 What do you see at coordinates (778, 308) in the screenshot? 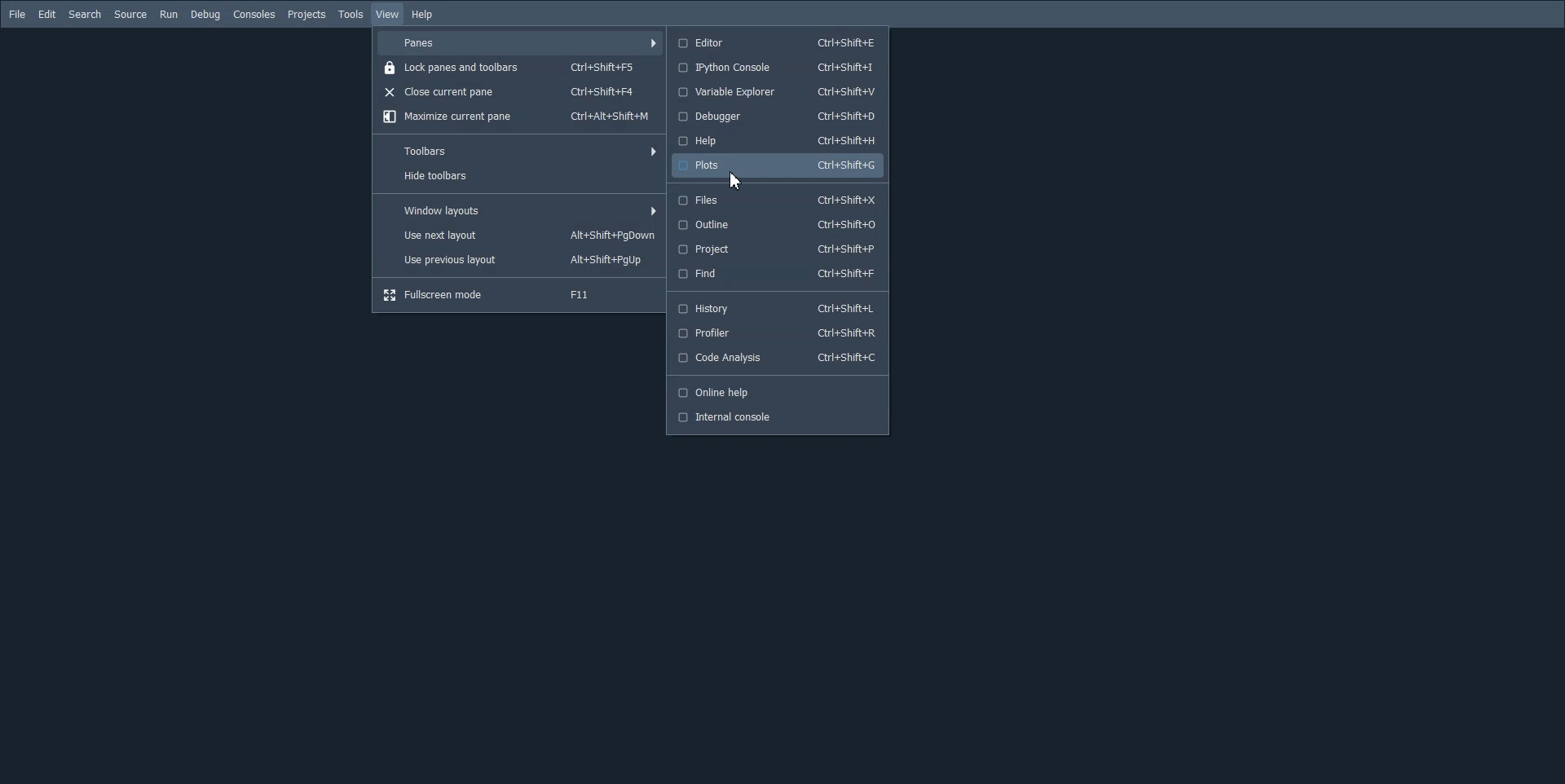
I see `History ` at bounding box center [778, 308].